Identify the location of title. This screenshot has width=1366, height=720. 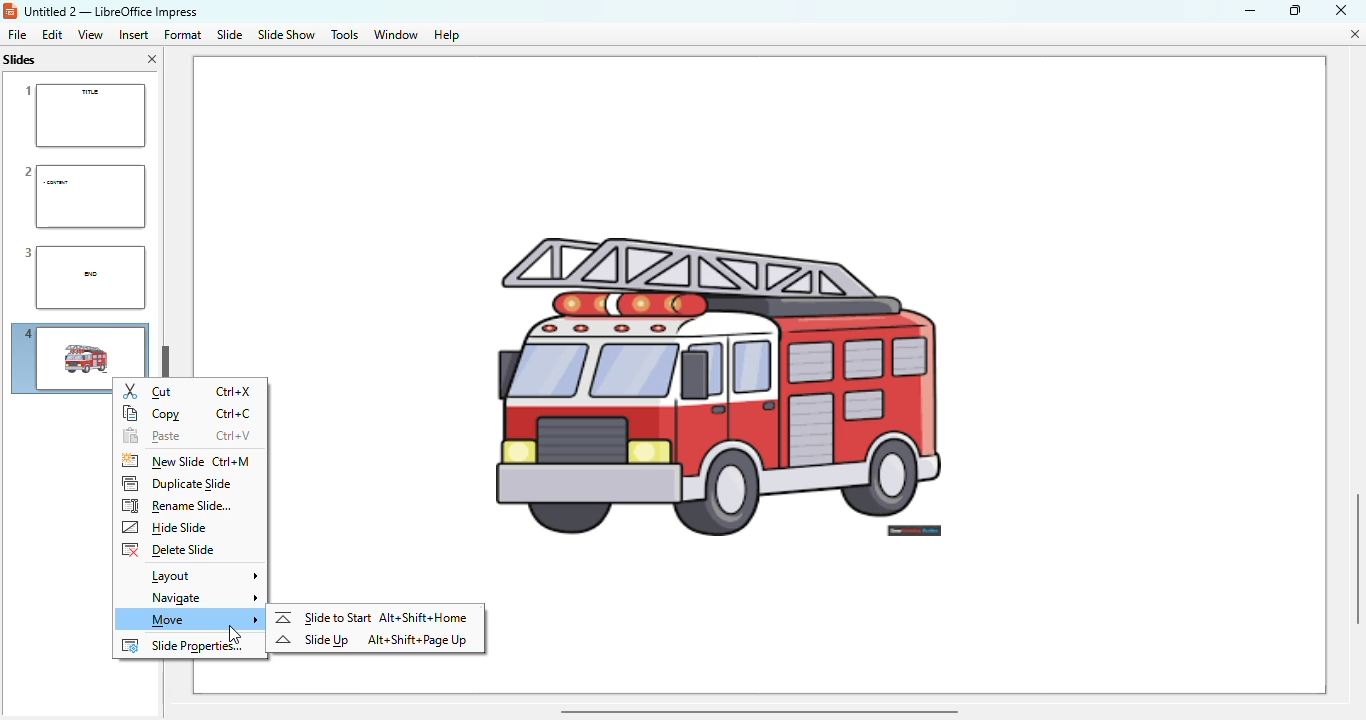
(110, 12).